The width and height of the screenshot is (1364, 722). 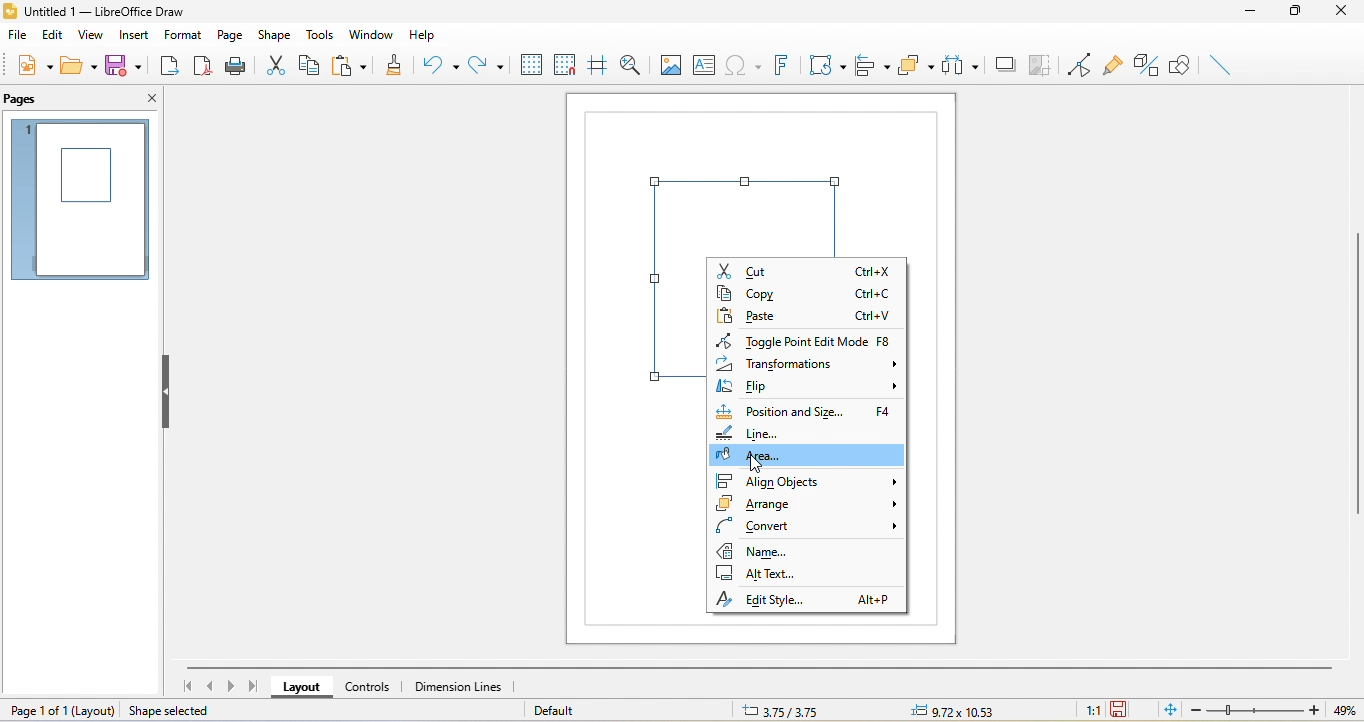 I want to click on next page, so click(x=231, y=688).